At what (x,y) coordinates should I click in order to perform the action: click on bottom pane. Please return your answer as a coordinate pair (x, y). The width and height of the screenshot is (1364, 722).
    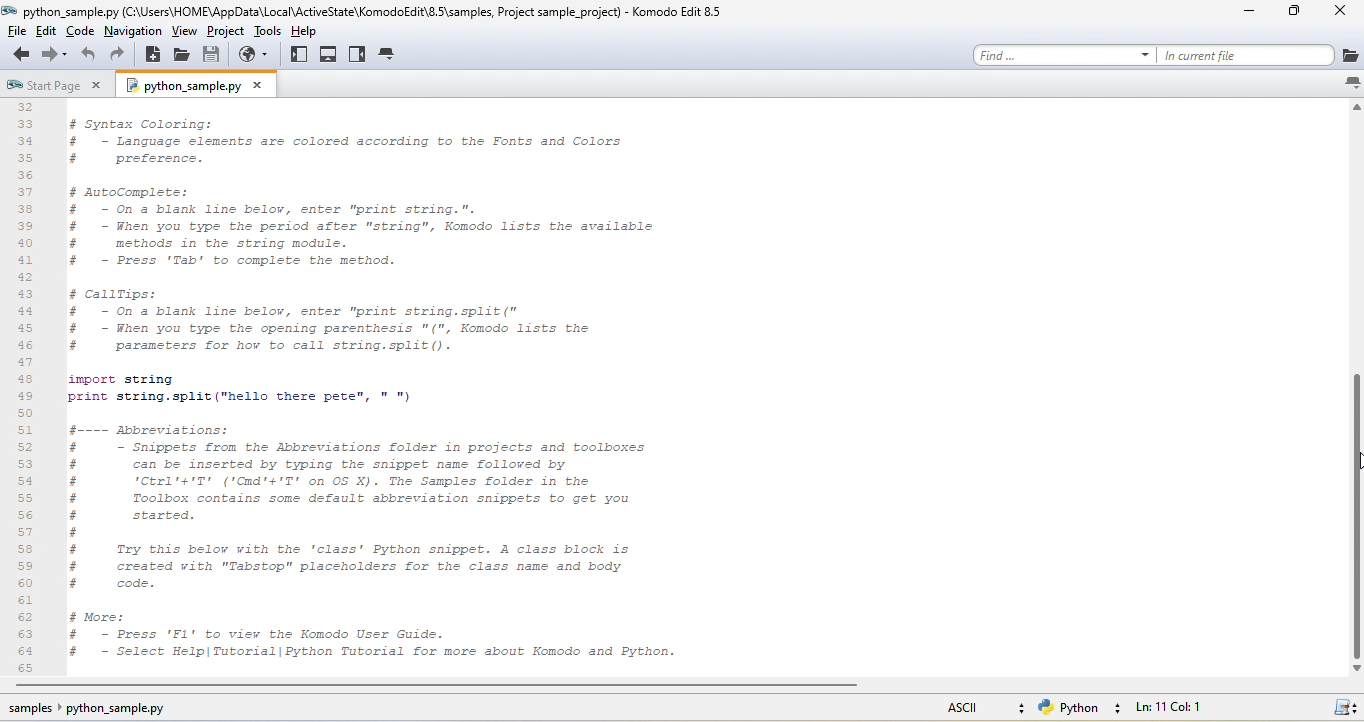
    Looking at the image, I should click on (330, 53).